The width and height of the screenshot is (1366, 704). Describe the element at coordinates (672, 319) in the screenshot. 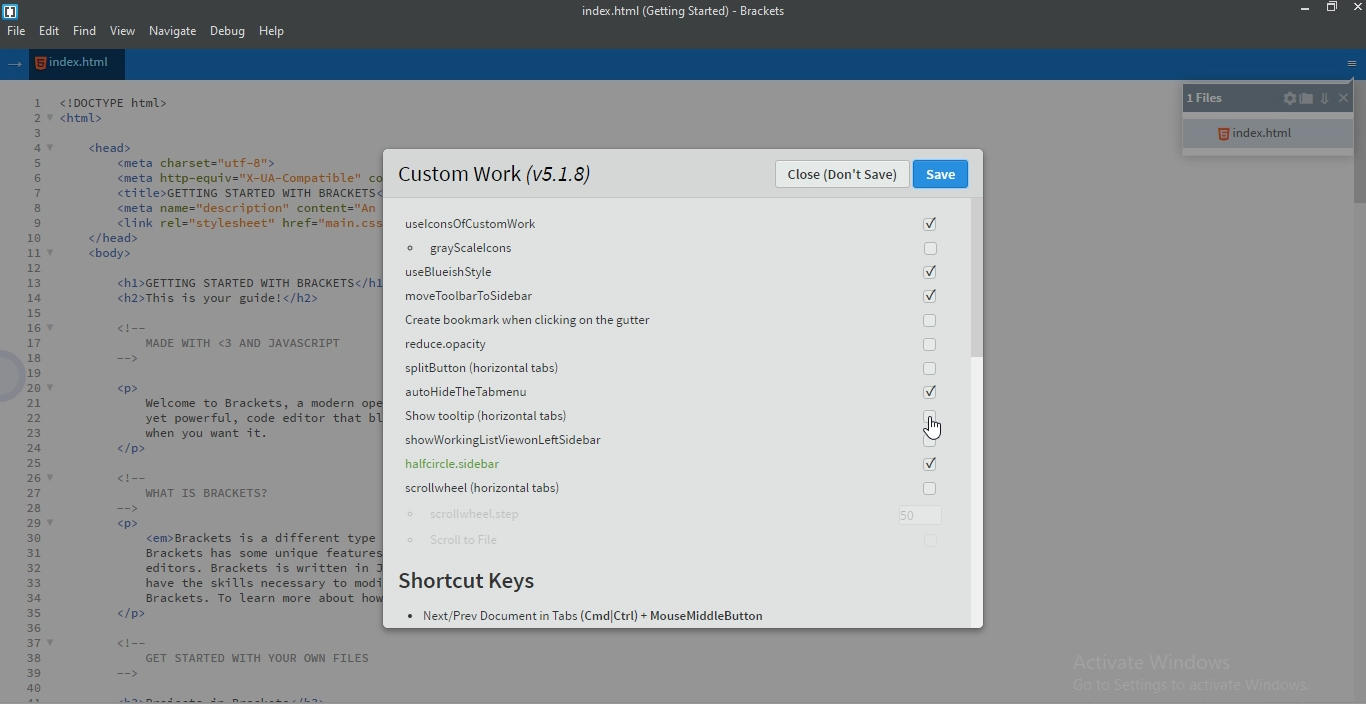

I see `Create bookmark when clicking on the gutter` at that location.